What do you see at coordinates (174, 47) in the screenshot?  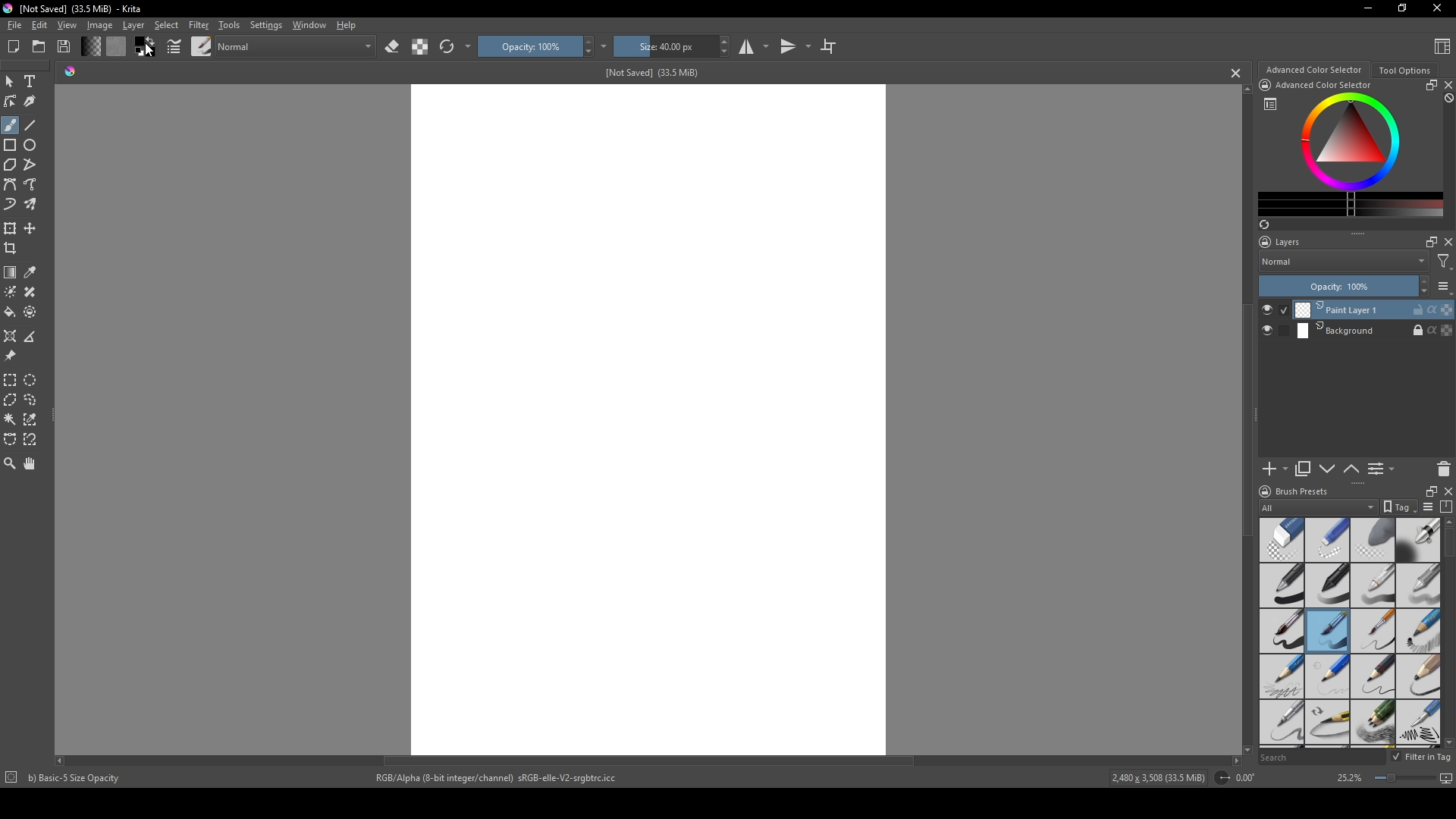 I see `pointers` at bounding box center [174, 47].